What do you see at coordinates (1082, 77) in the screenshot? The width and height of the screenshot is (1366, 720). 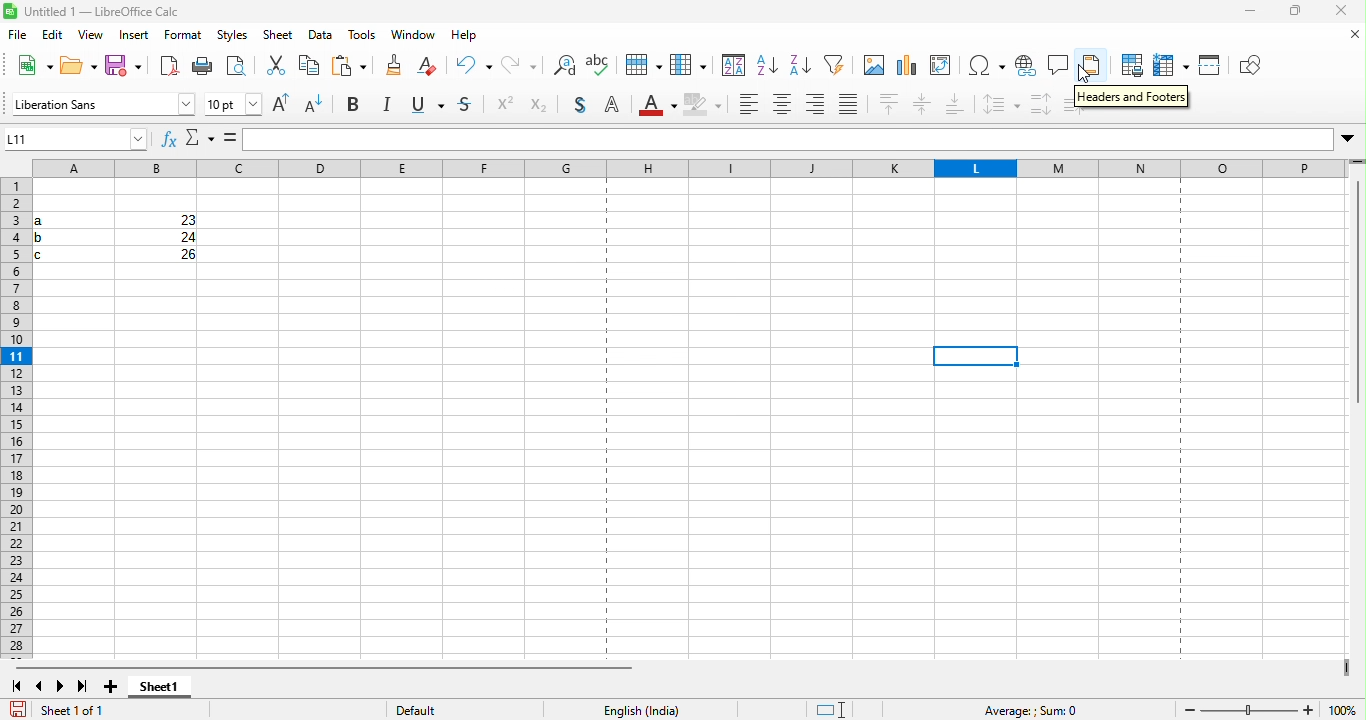 I see `cursor` at bounding box center [1082, 77].